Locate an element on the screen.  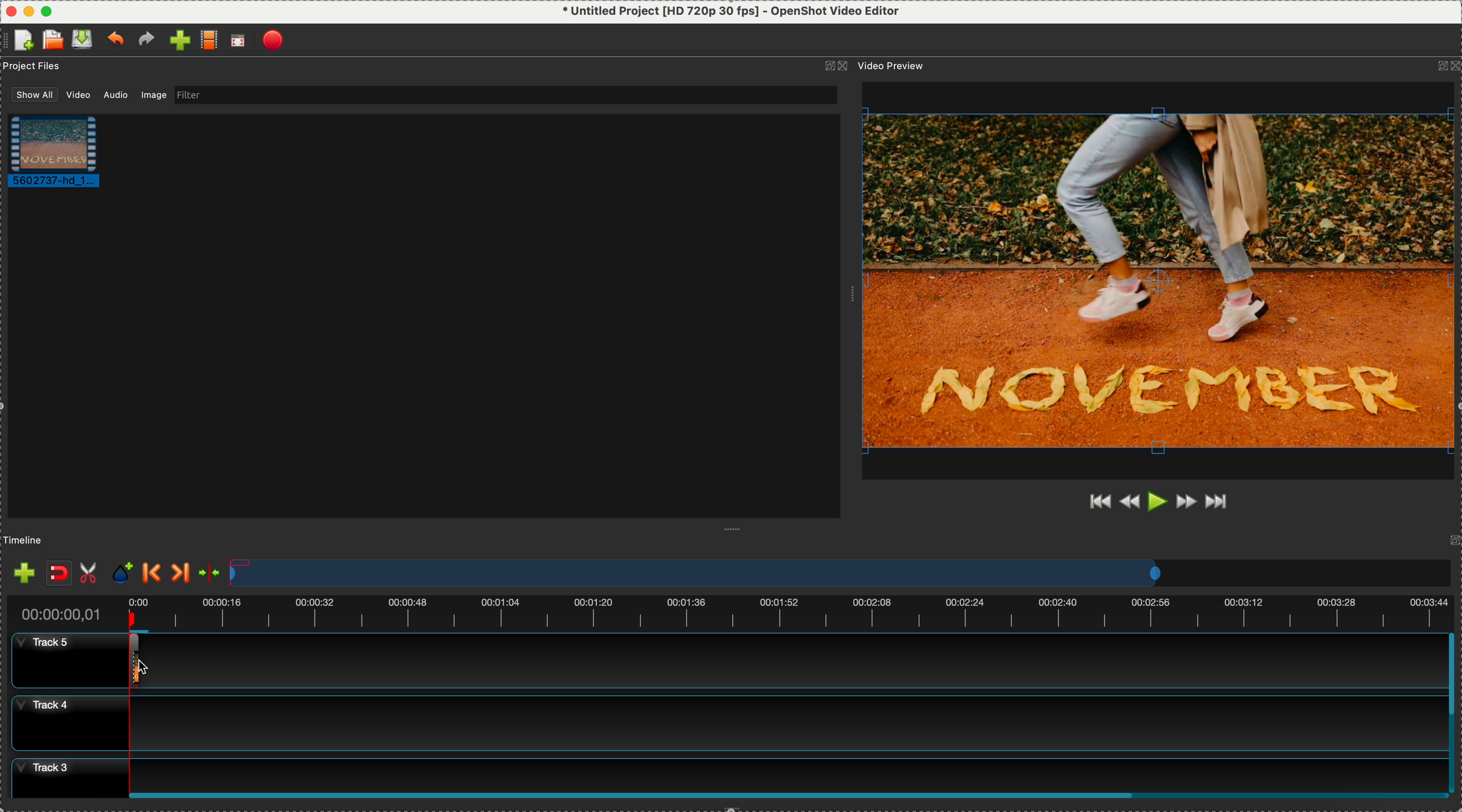
open a recent file is located at coordinates (52, 40).